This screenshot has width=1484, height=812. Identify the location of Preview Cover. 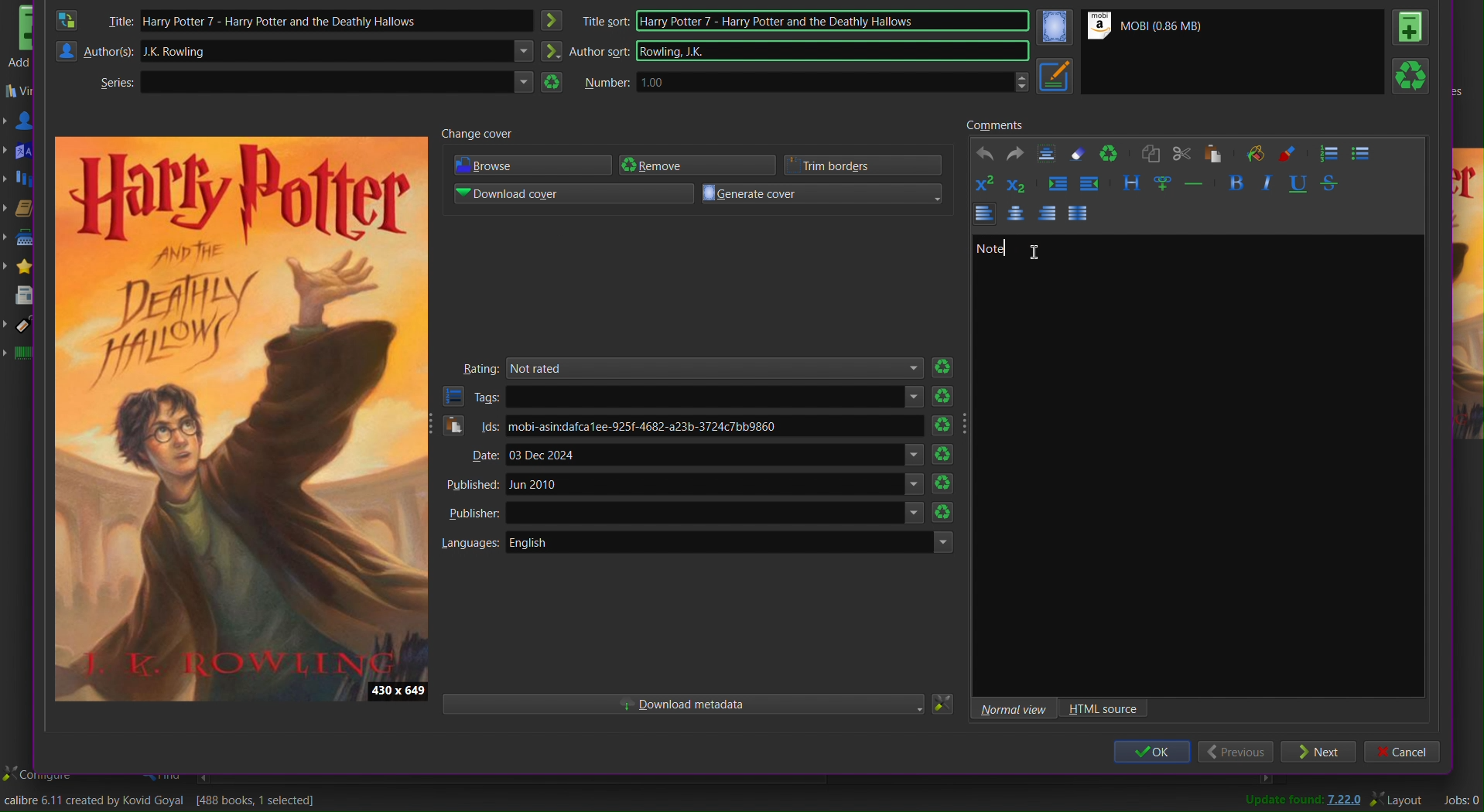
(241, 418).